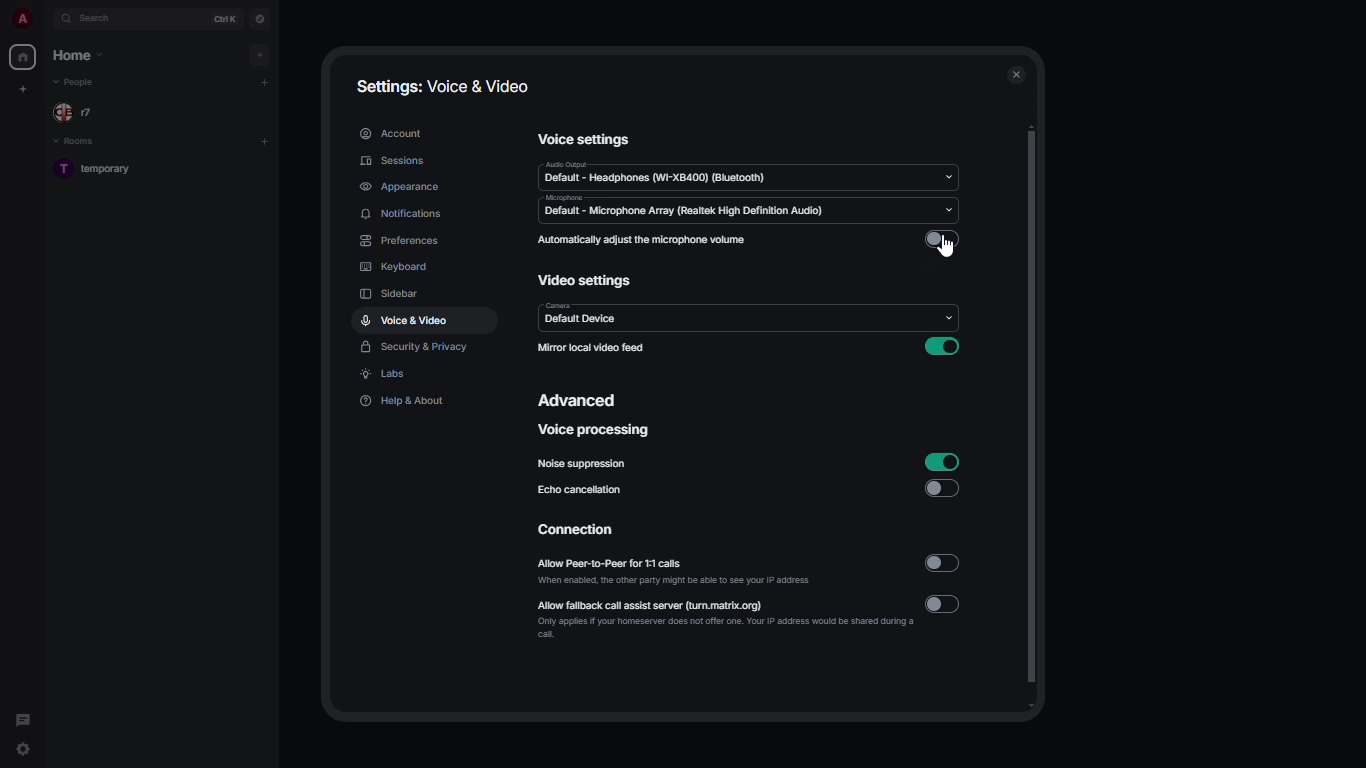 The width and height of the screenshot is (1366, 768). Describe the element at coordinates (78, 113) in the screenshot. I see `people` at that location.